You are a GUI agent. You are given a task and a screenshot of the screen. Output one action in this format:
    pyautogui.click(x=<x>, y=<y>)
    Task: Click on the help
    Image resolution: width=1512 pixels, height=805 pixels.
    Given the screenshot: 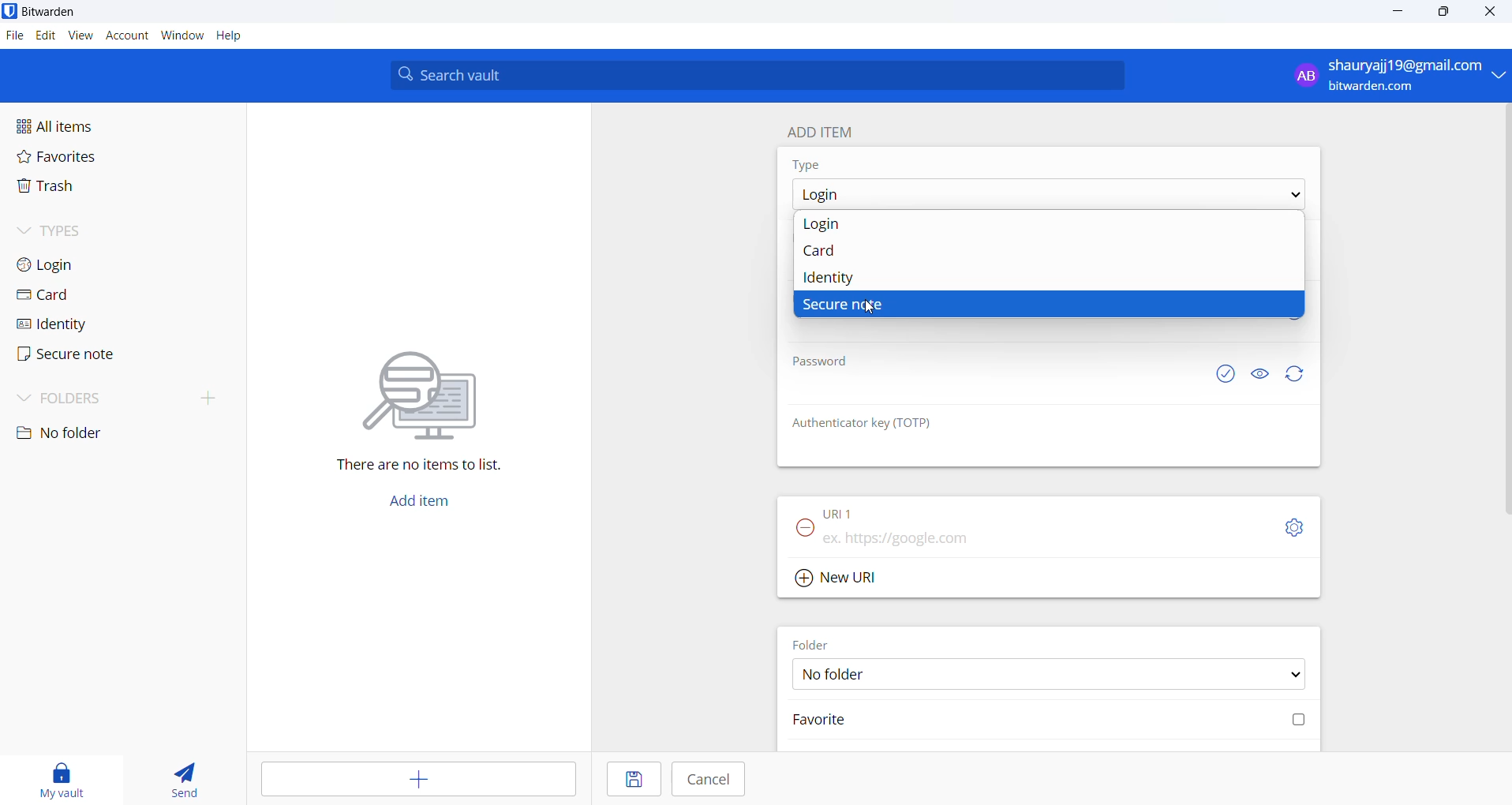 What is the action you would take?
    pyautogui.click(x=230, y=36)
    